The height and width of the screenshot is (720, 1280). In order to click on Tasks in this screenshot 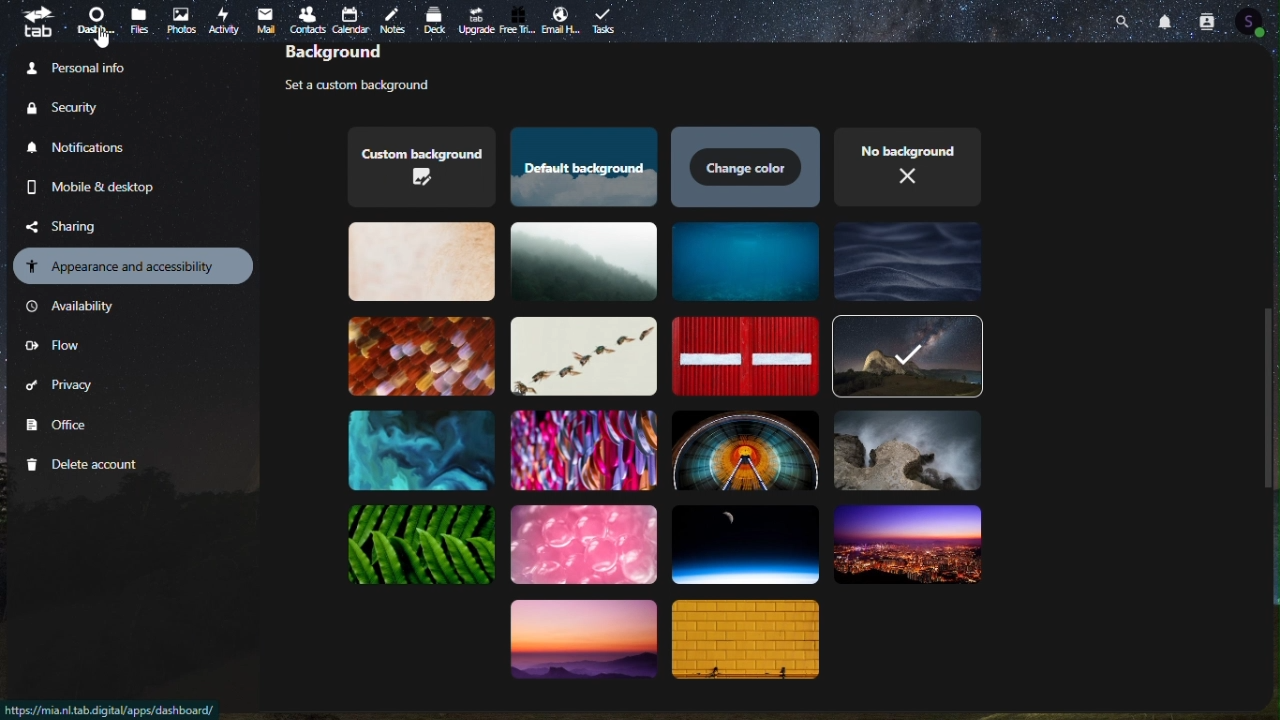, I will do `click(607, 19)`.